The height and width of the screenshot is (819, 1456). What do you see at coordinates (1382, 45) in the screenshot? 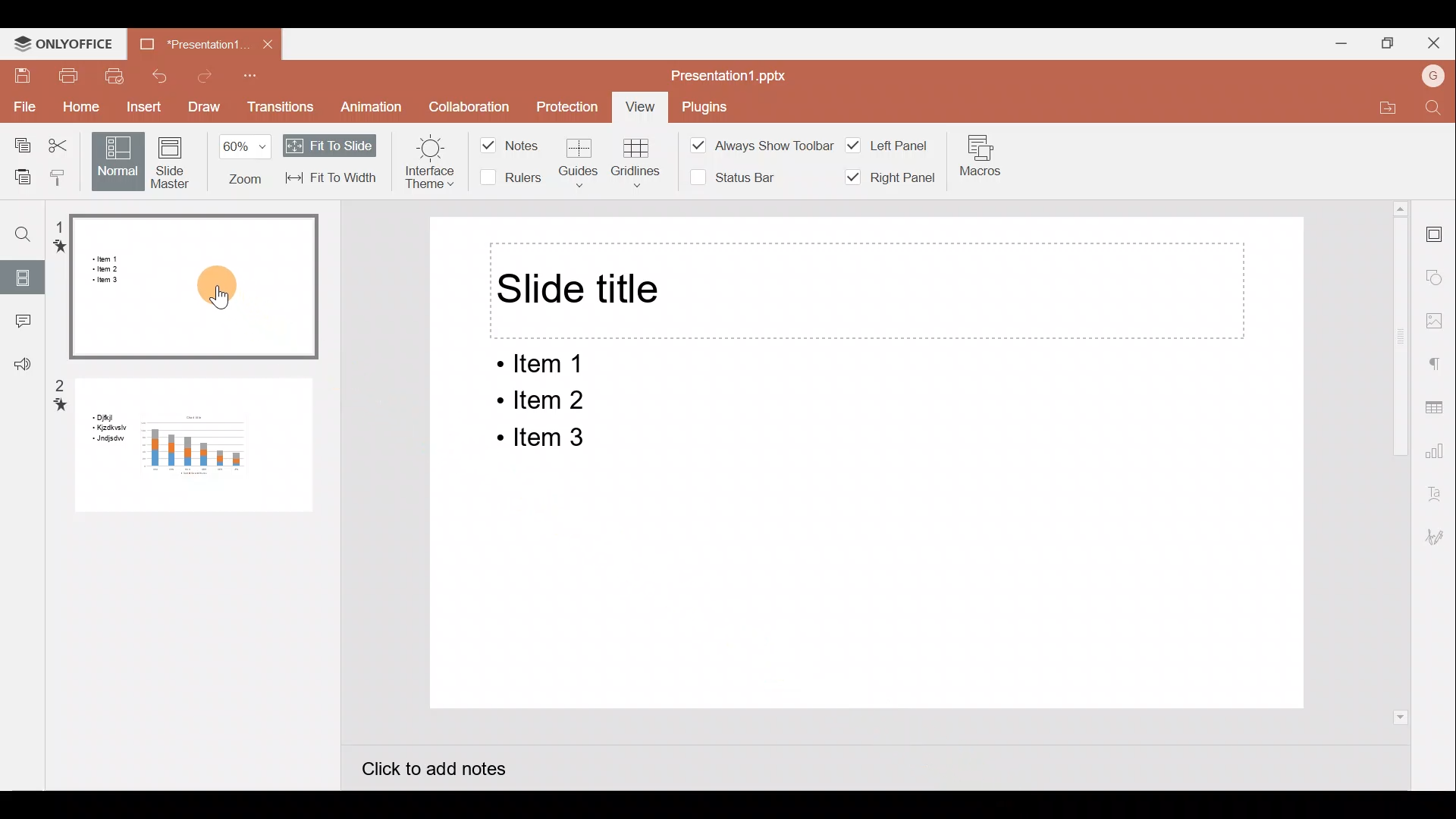
I see `Maximize` at bounding box center [1382, 45].